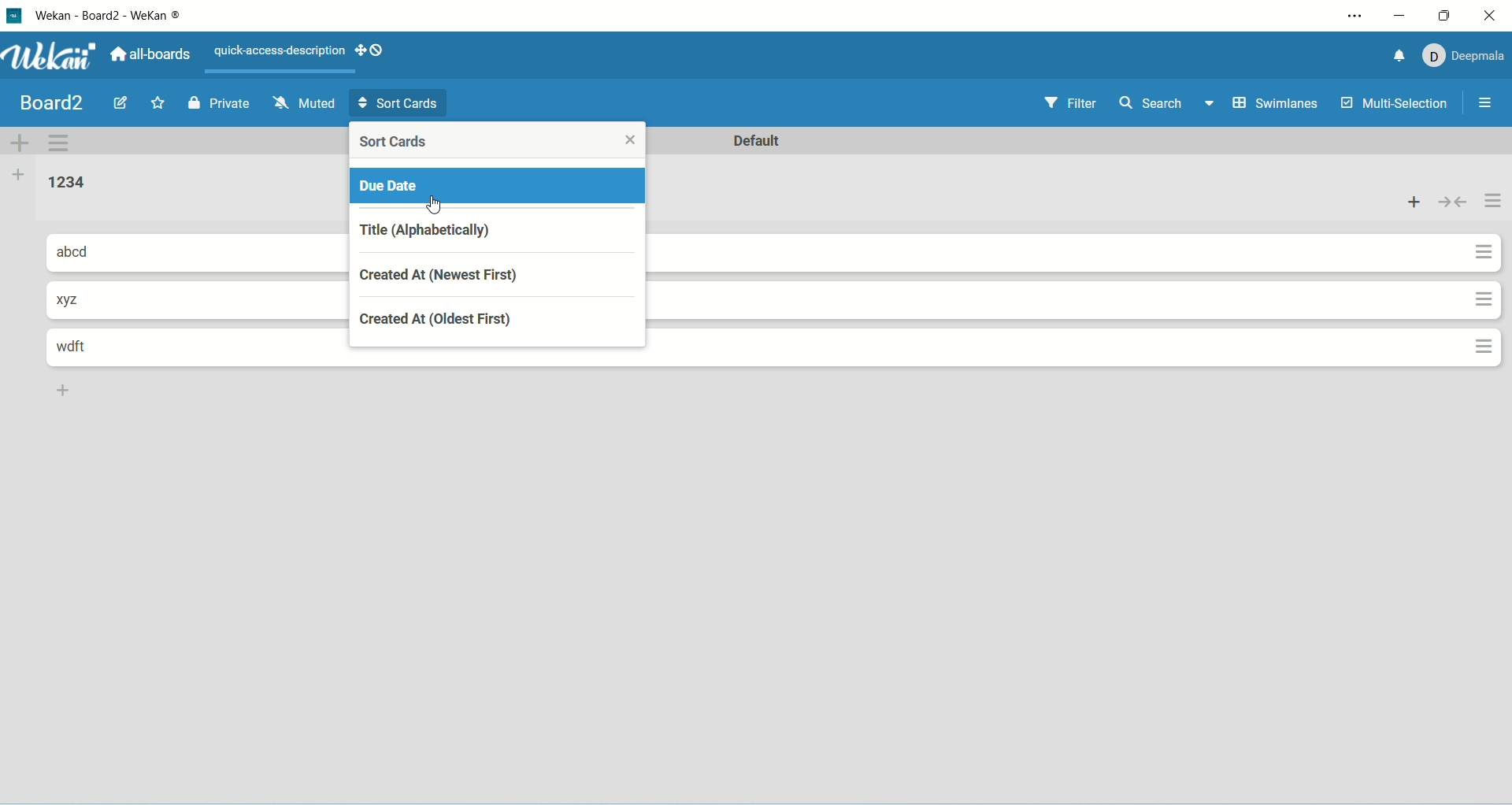  I want to click on due date, so click(498, 187).